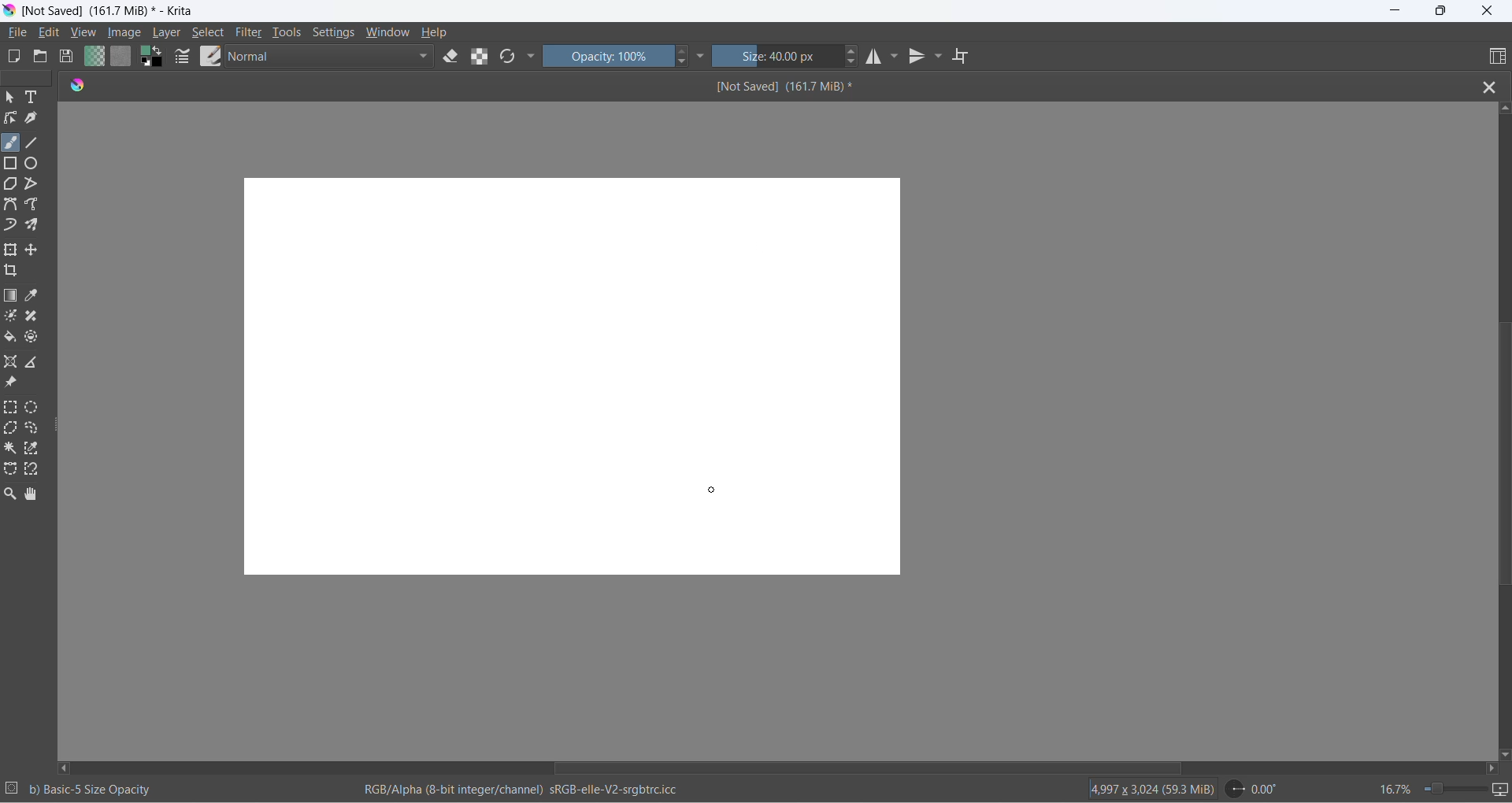 Image resolution: width=1512 pixels, height=803 pixels. Describe the element at coordinates (387, 34) in the screenshot. I see `window` at that location.